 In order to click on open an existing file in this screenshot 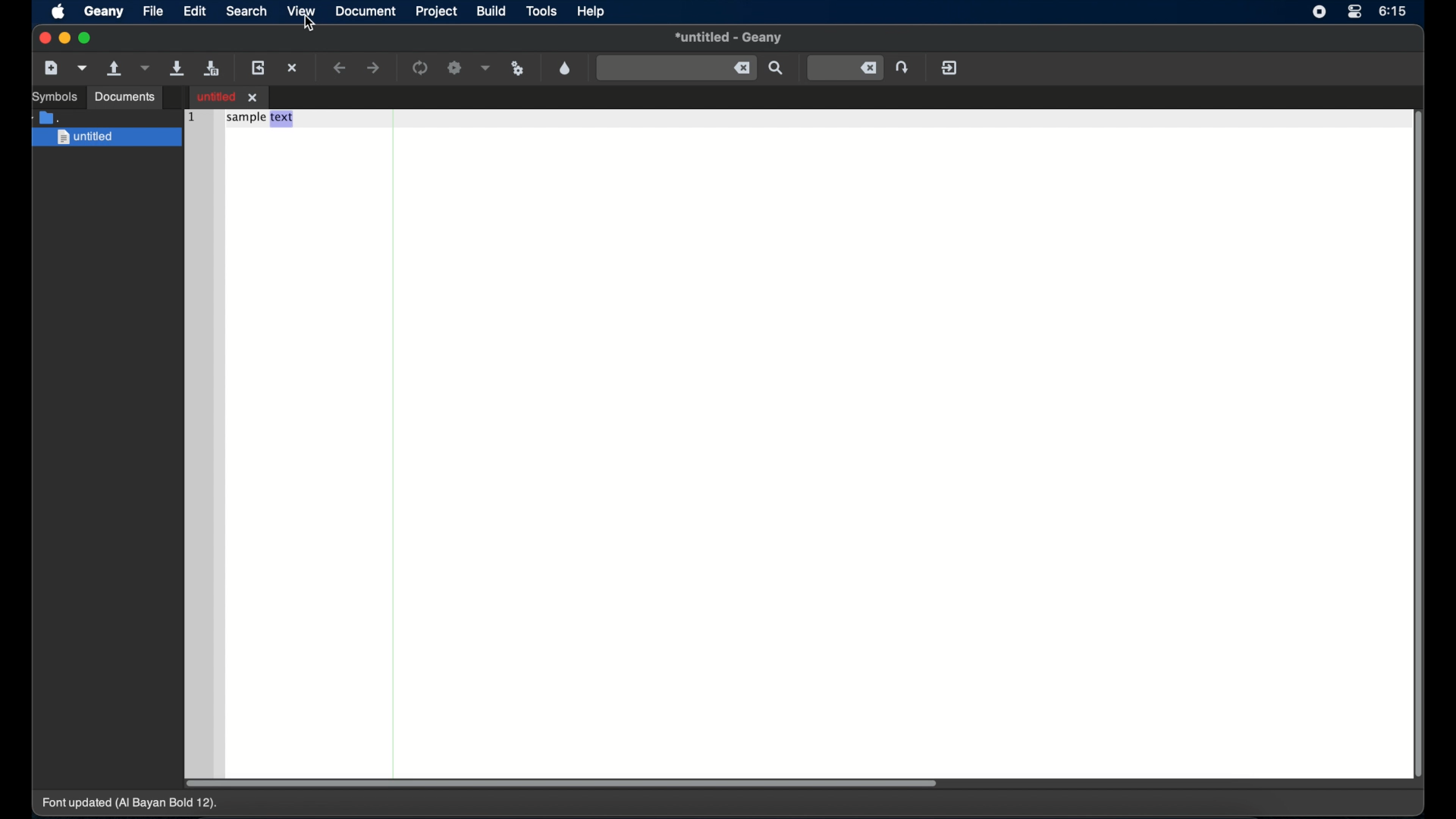, I will do `click(115, 69)`.